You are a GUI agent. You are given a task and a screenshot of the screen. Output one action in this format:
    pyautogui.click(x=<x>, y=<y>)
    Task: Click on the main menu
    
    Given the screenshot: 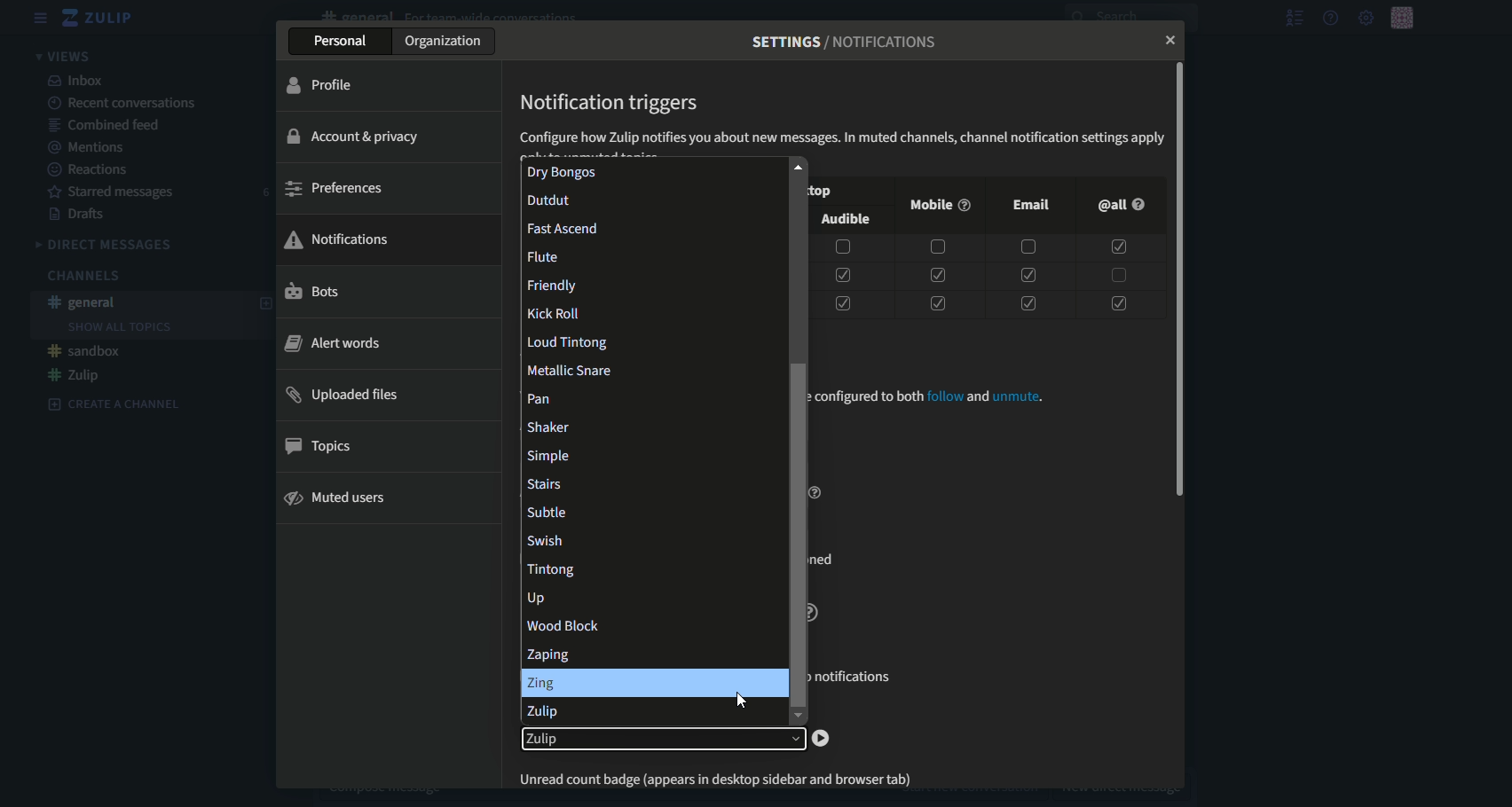 What is the action you would take?
    pyautogui.click(x=1365, y=17)
    